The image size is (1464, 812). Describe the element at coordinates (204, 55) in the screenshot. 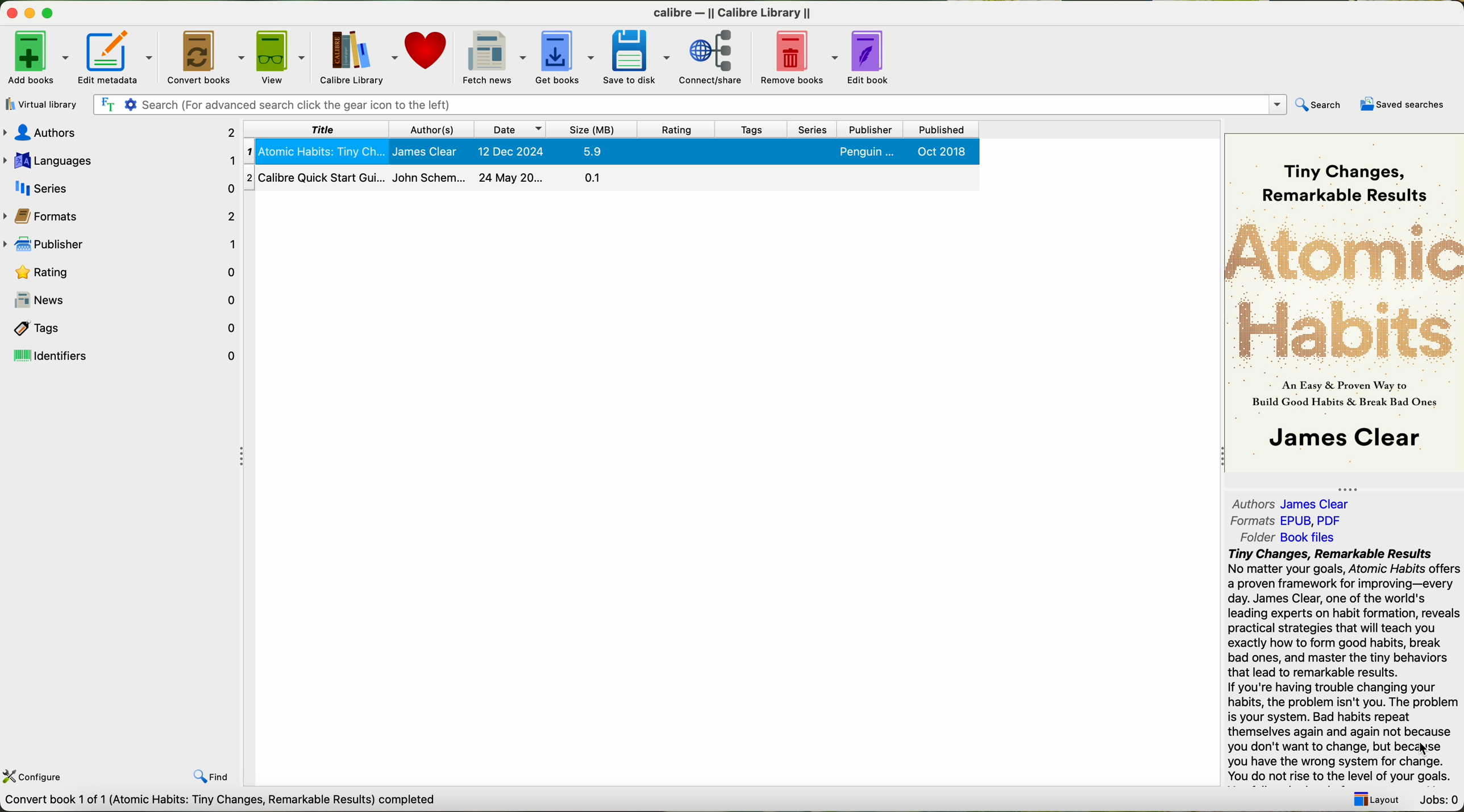

I see `convert books` at that location.